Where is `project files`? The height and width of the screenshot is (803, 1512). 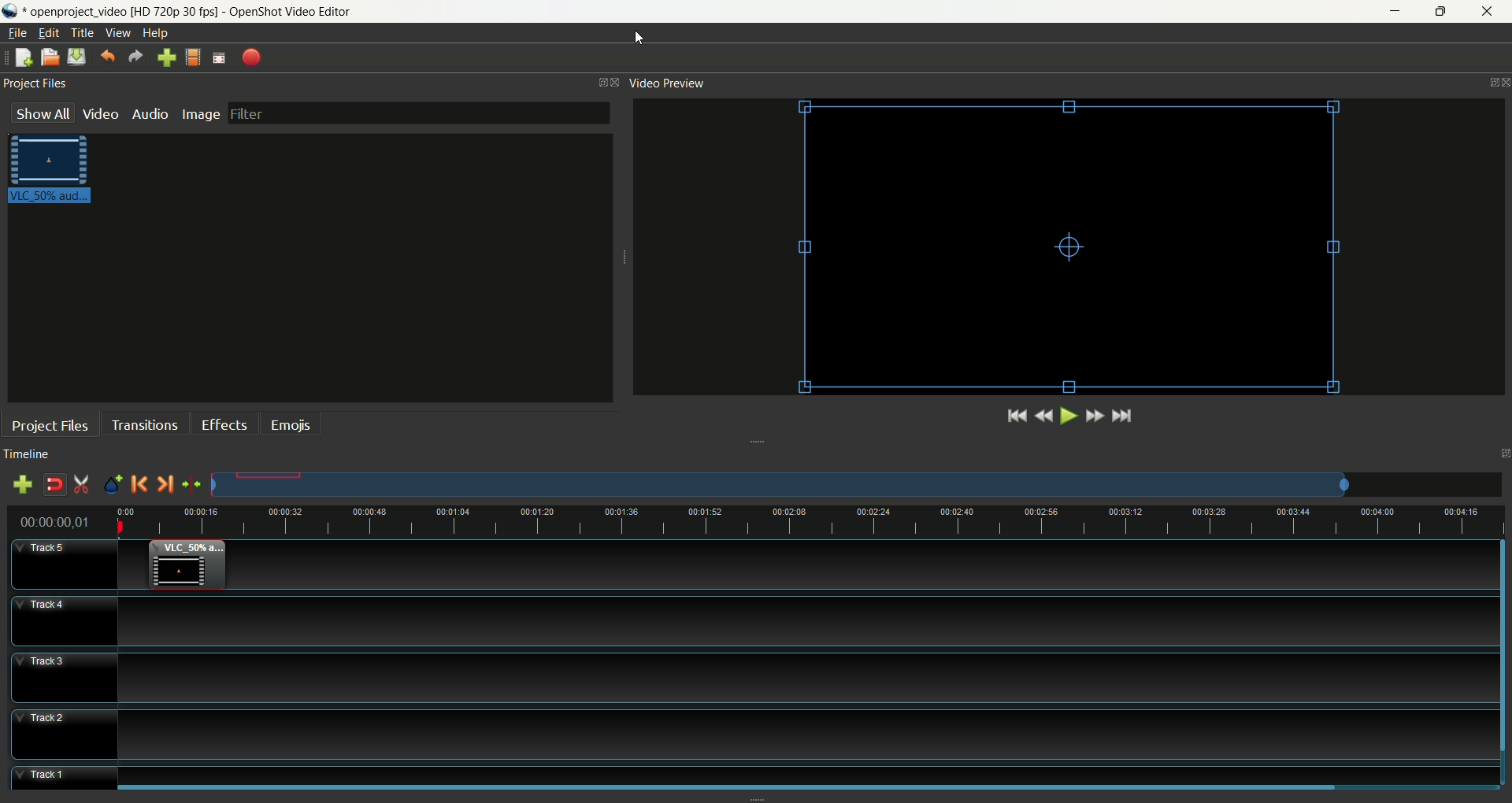 project files is located at coordinates (50, 426).